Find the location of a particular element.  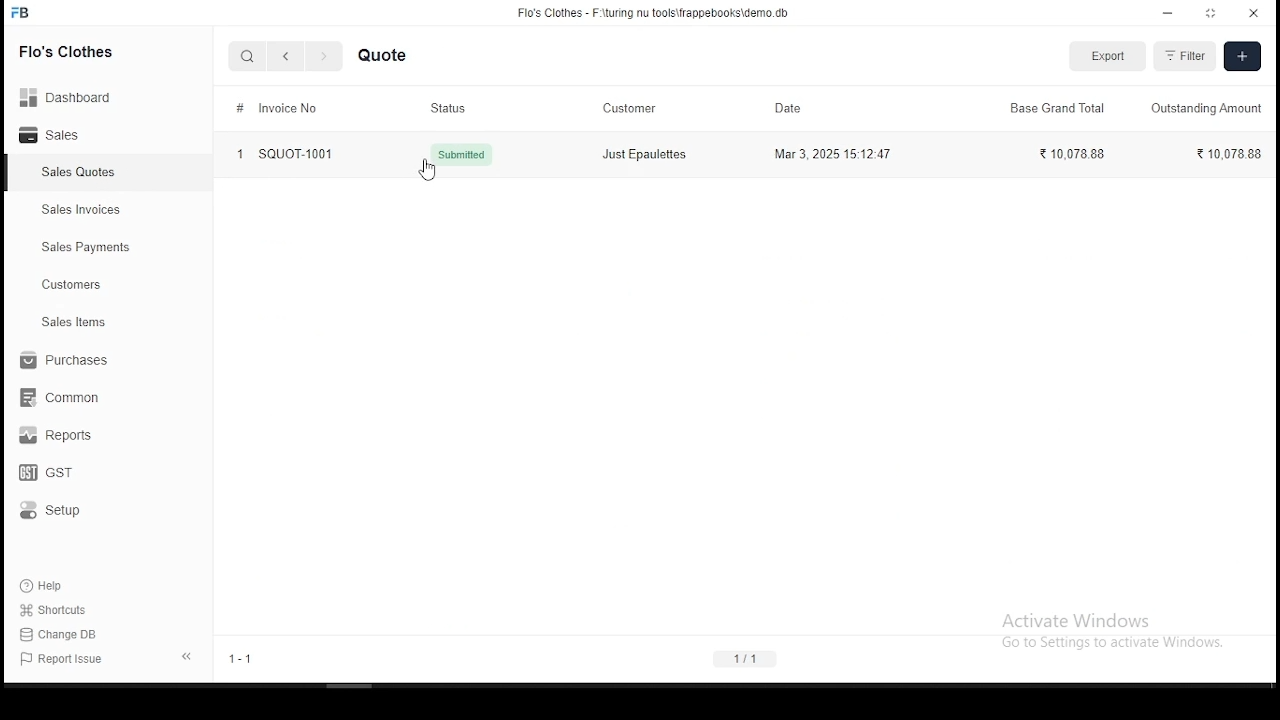

Flo's Clothes - F-\turing nu tools\frappebooks\demo db is located at coordinates (655, 12).